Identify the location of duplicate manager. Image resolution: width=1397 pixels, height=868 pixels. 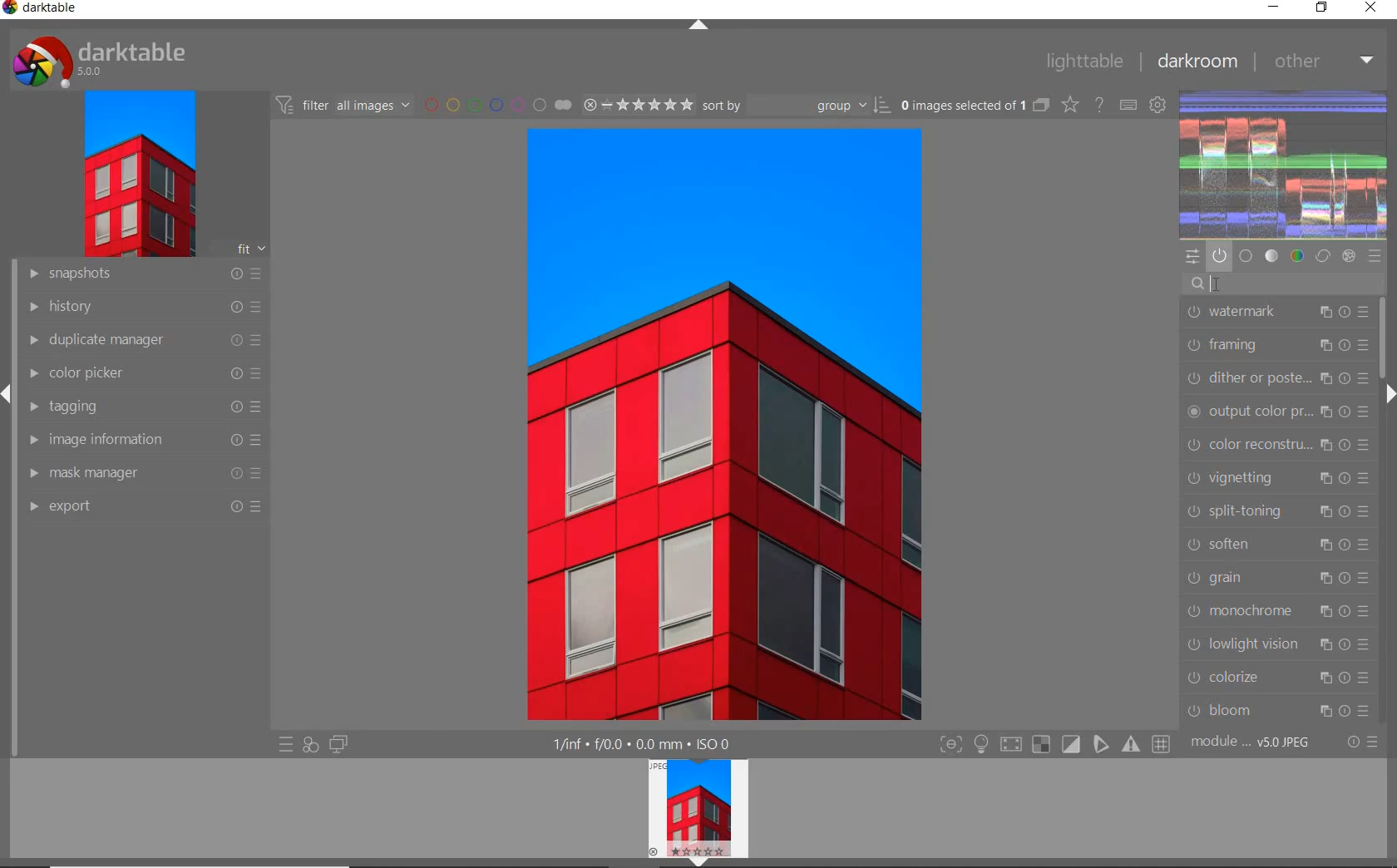
(140, 342).